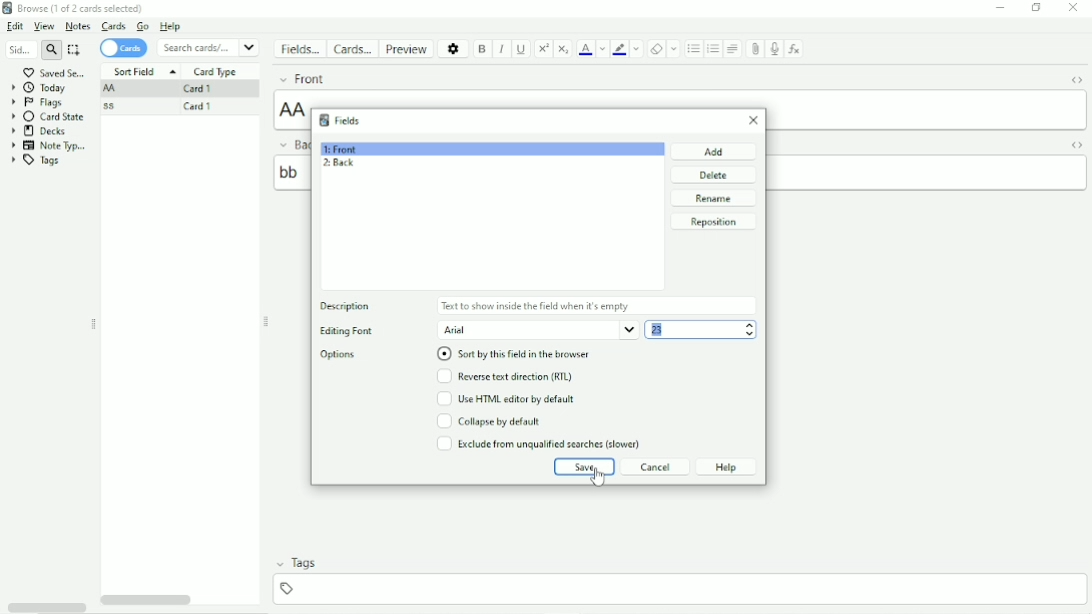  Describe the element at coordinates (36, 161) in the screenshot. I see `Tags` at that location.